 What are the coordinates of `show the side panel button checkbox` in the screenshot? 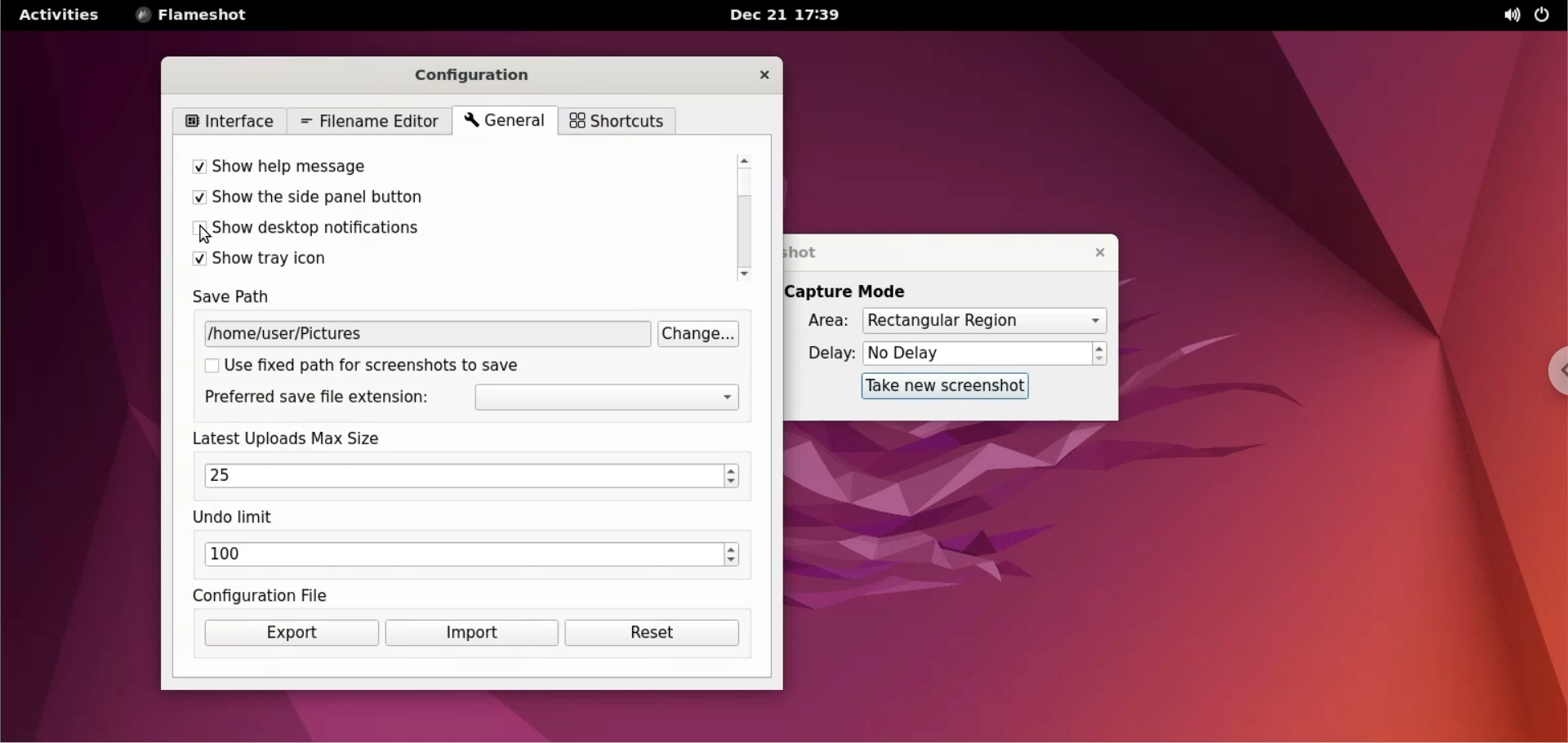 It's located at (434, 199).